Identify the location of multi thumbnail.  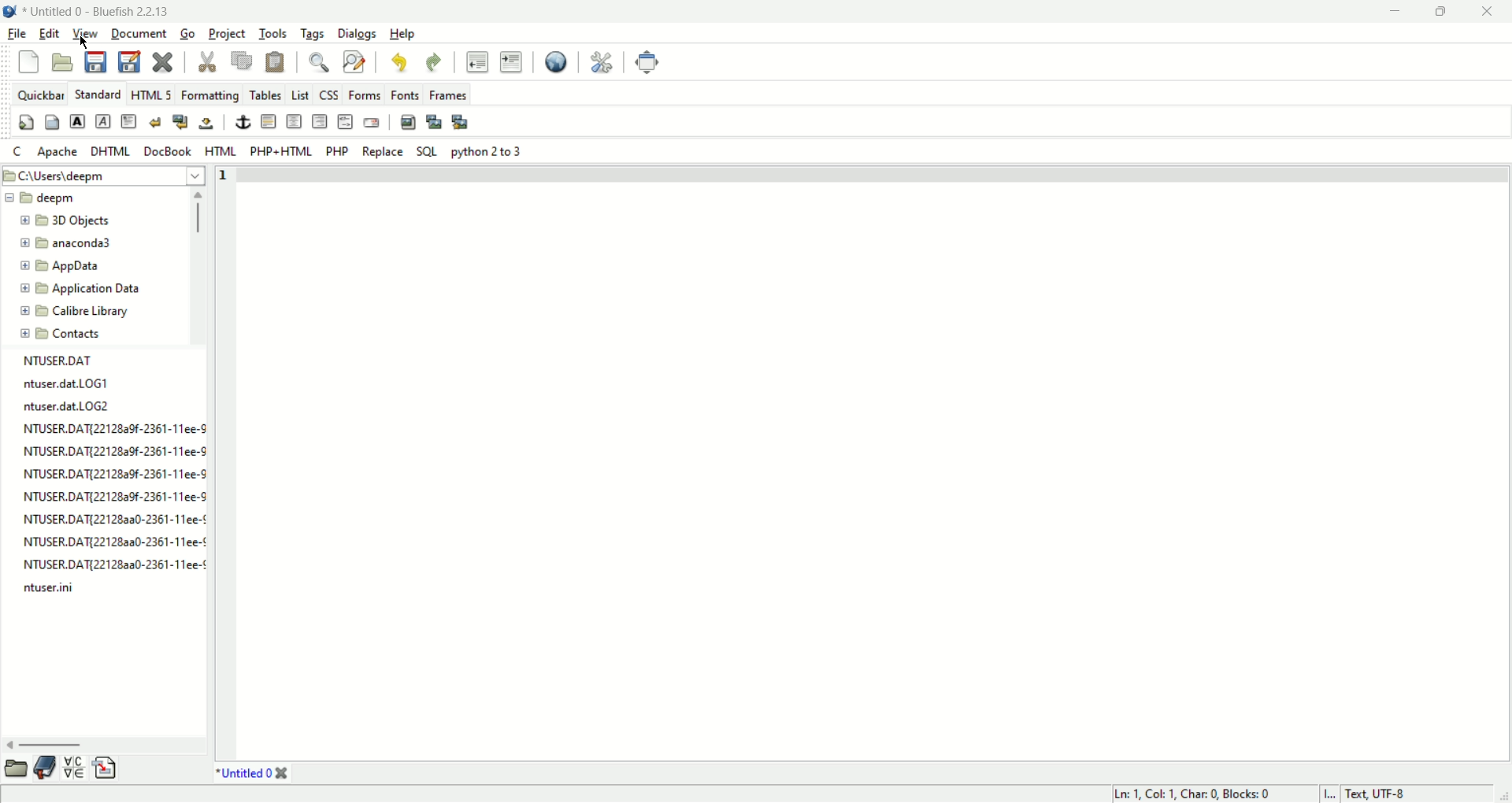
(460, 121).